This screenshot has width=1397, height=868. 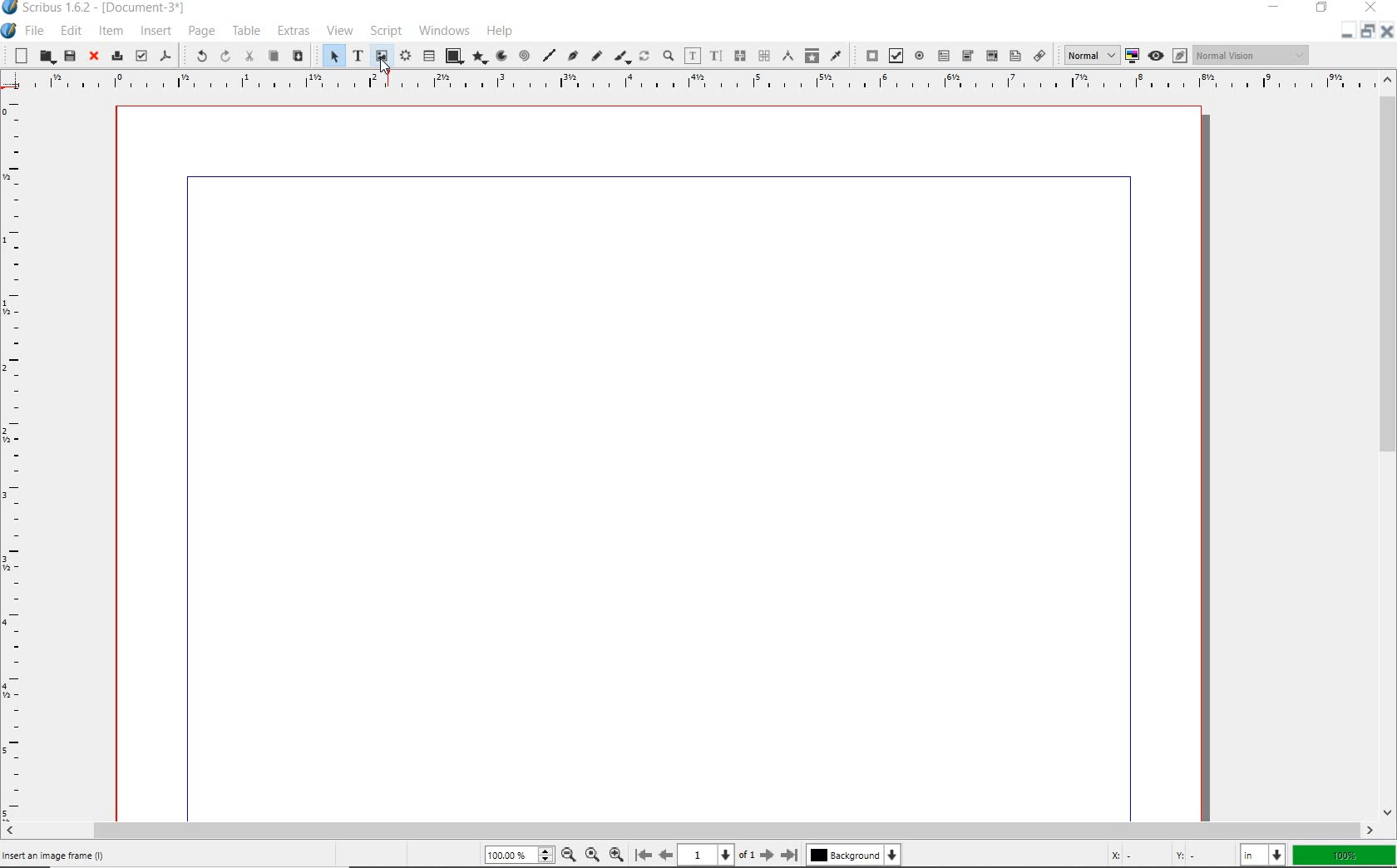 I want to click on RULER, so click(x=17, y=454).